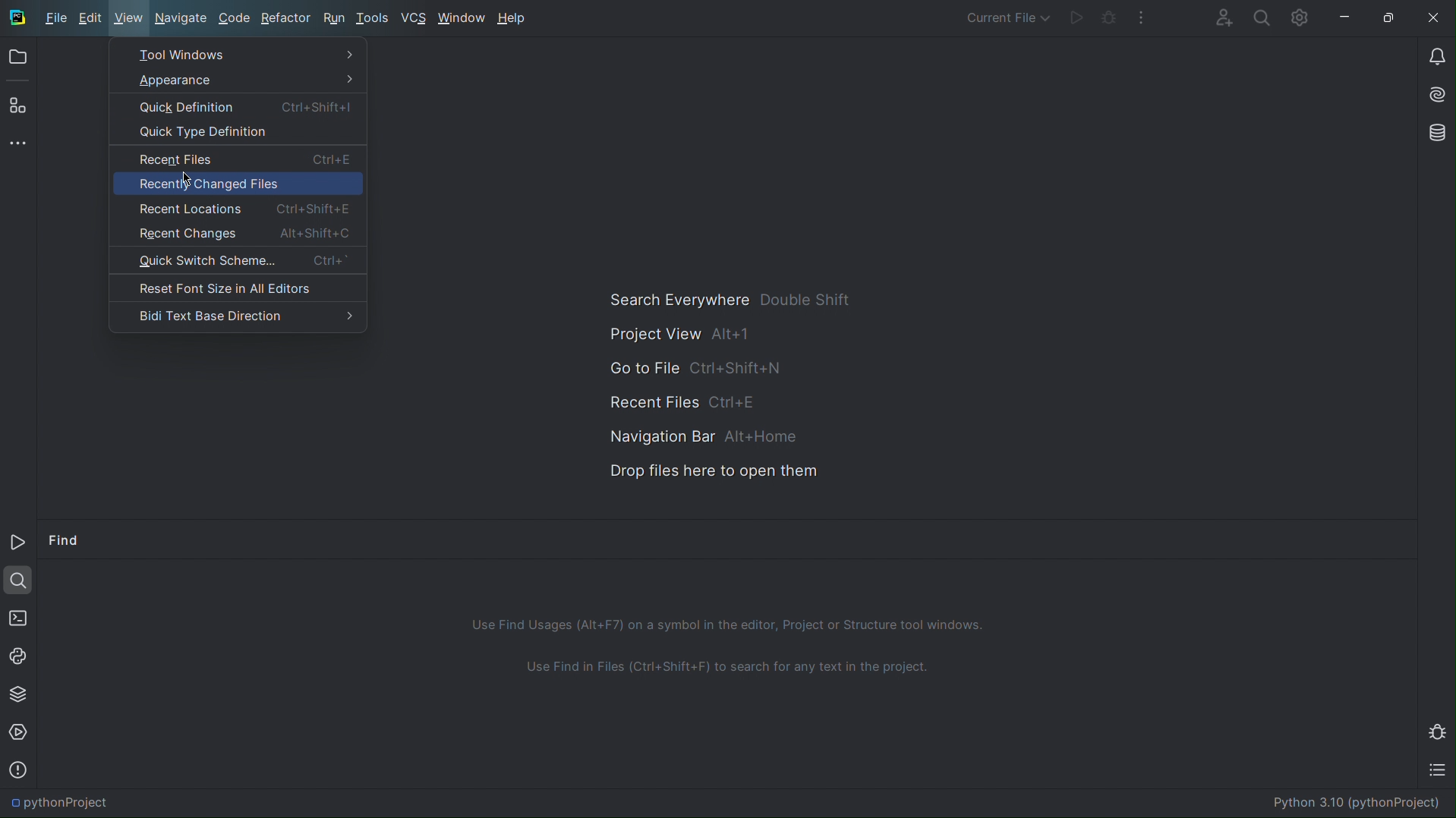 The image size is (1456, 818). Describe the element at coordinates (20, 733) in the screenshot. I see `Services` at that location.